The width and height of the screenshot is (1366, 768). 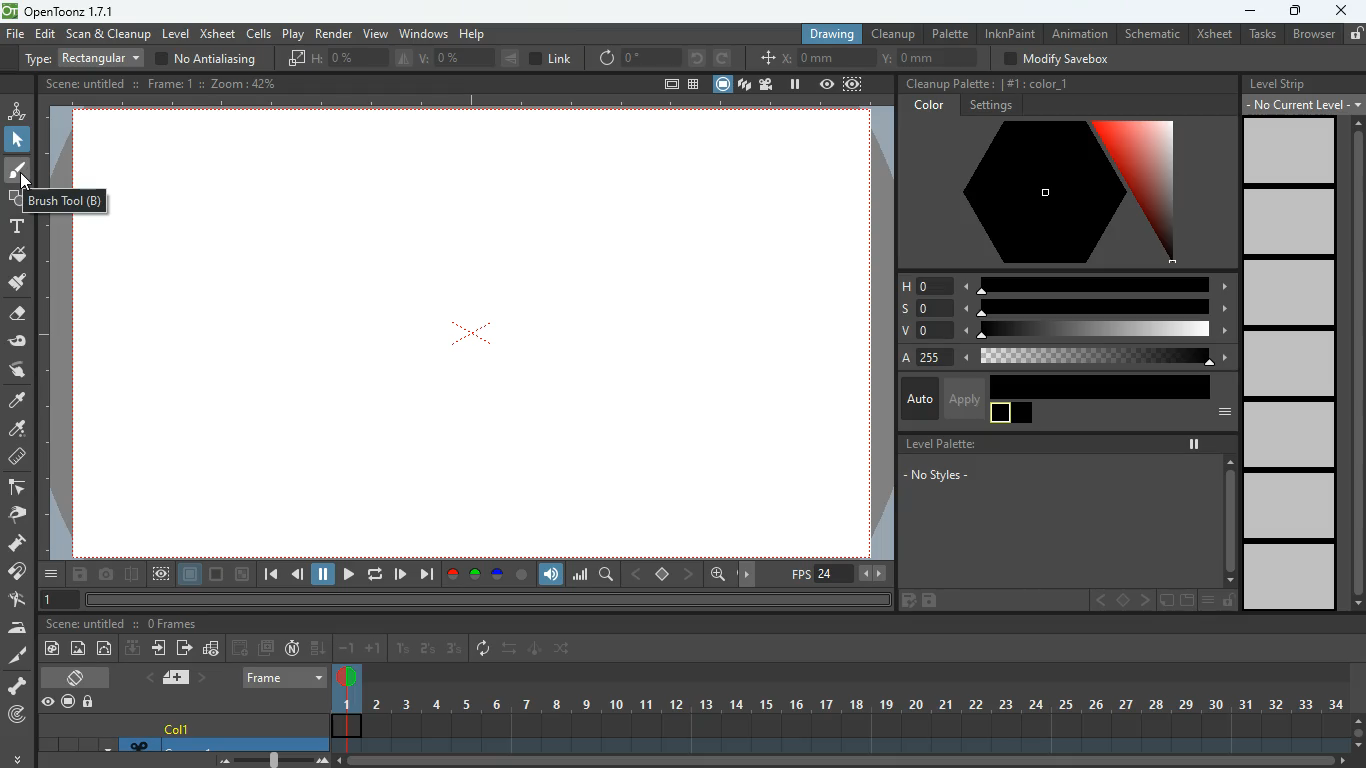 I want to click on save, so click(x=82, y=576).